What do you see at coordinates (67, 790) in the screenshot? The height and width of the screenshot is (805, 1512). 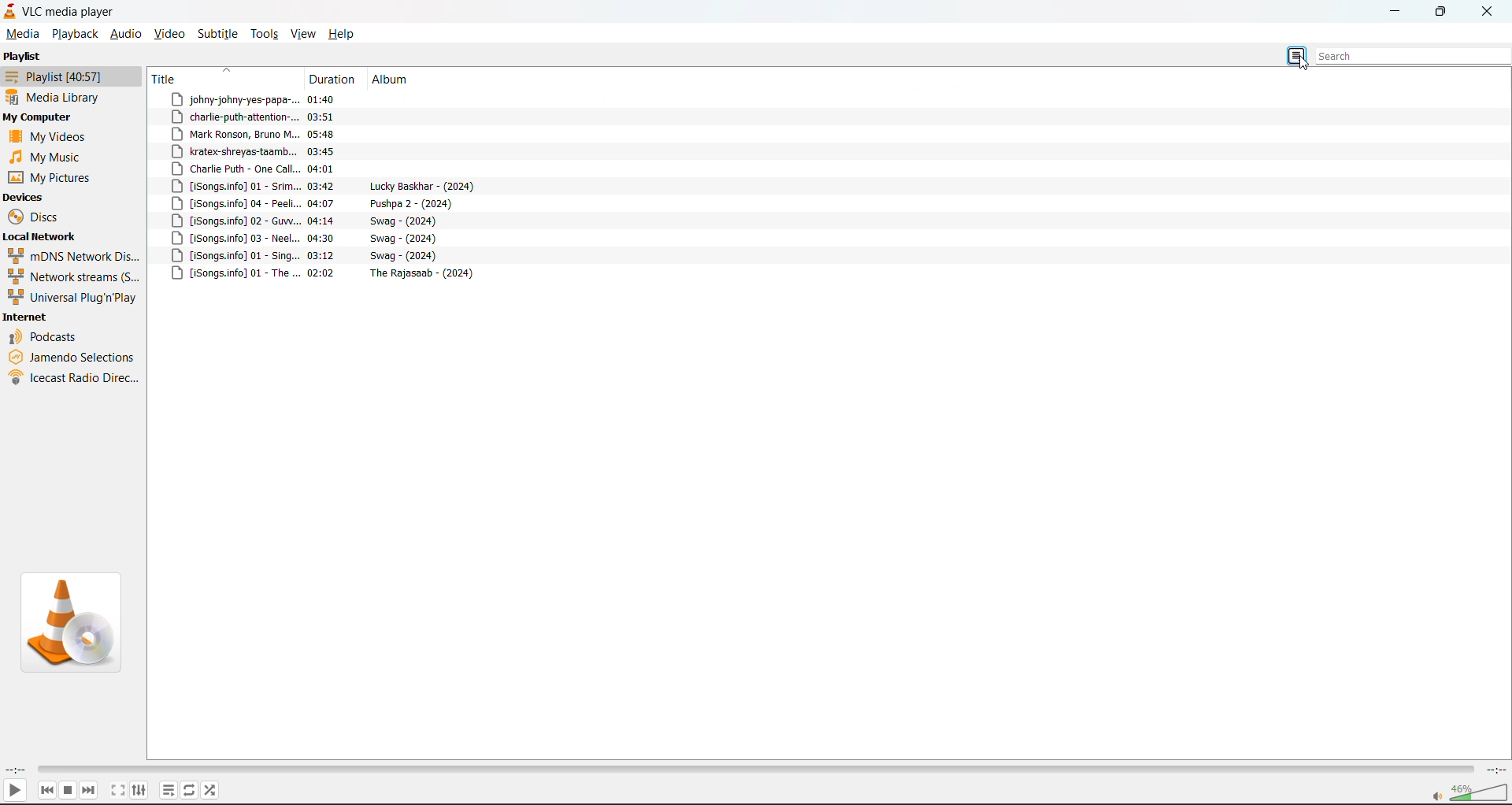 I see `stop` at bounding box center [67, 790].